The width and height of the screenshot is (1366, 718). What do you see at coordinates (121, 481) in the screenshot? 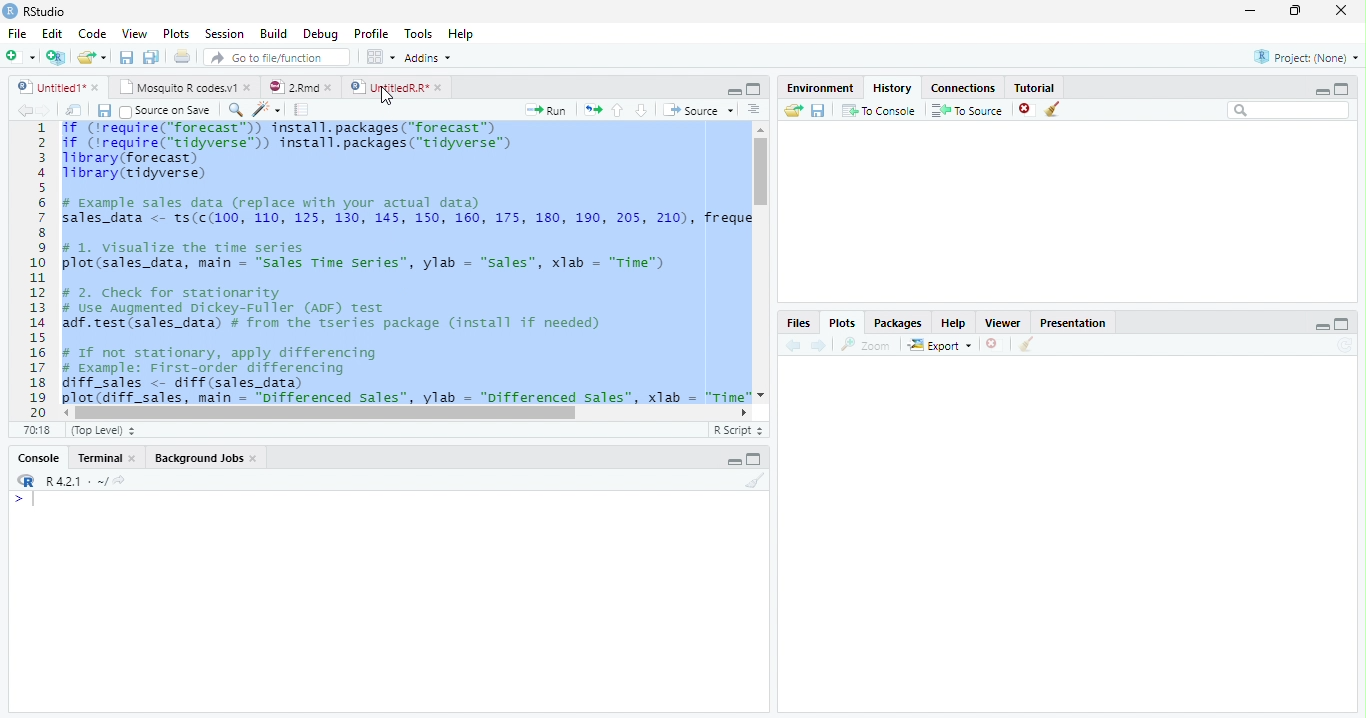
I see `View current directory` at bounding box center [121, 481].